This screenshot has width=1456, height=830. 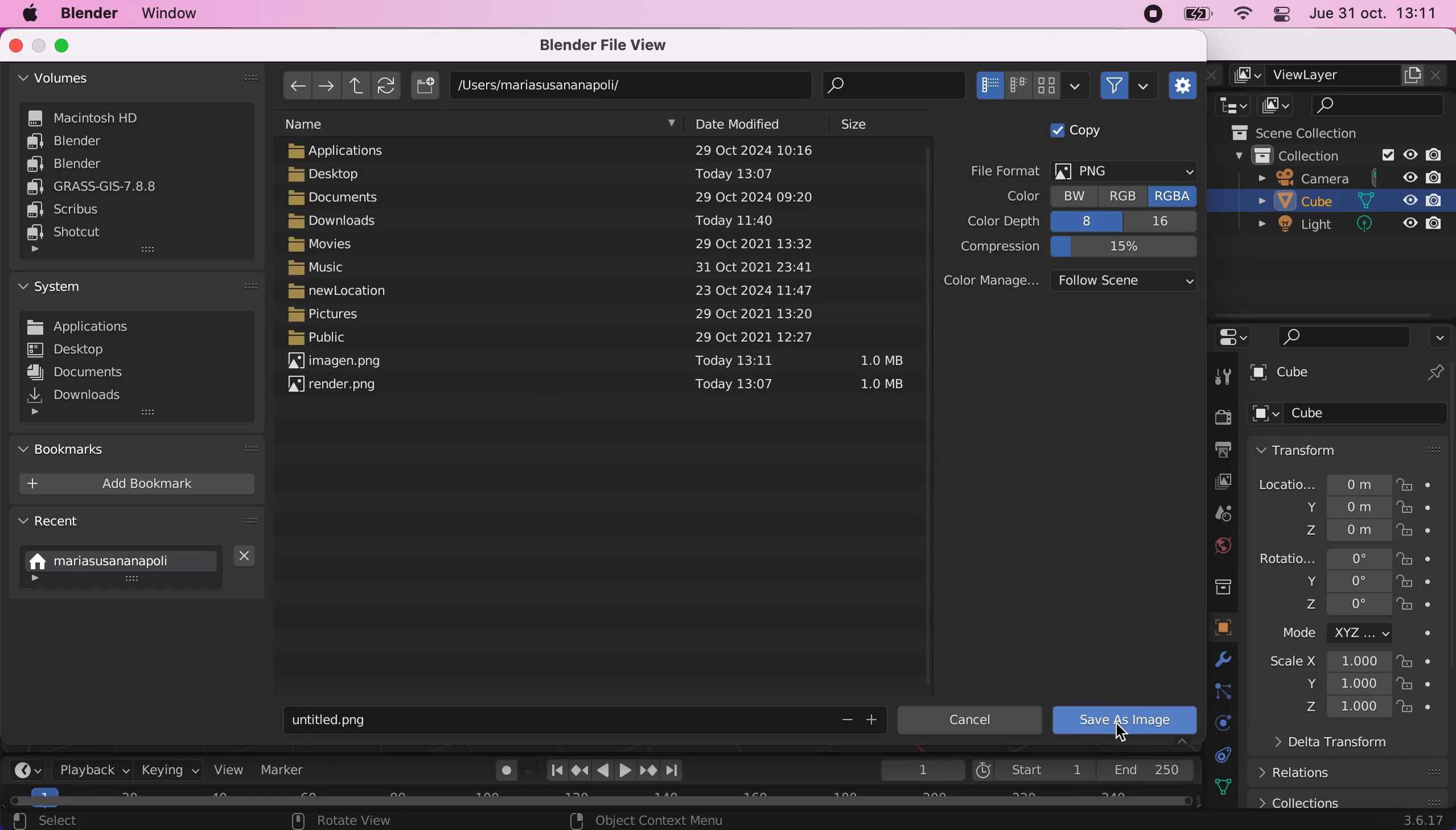 What do you see at coordinates (1065, 129) in the screenshot?
I see `copy` at bounding box center [1065, 129].